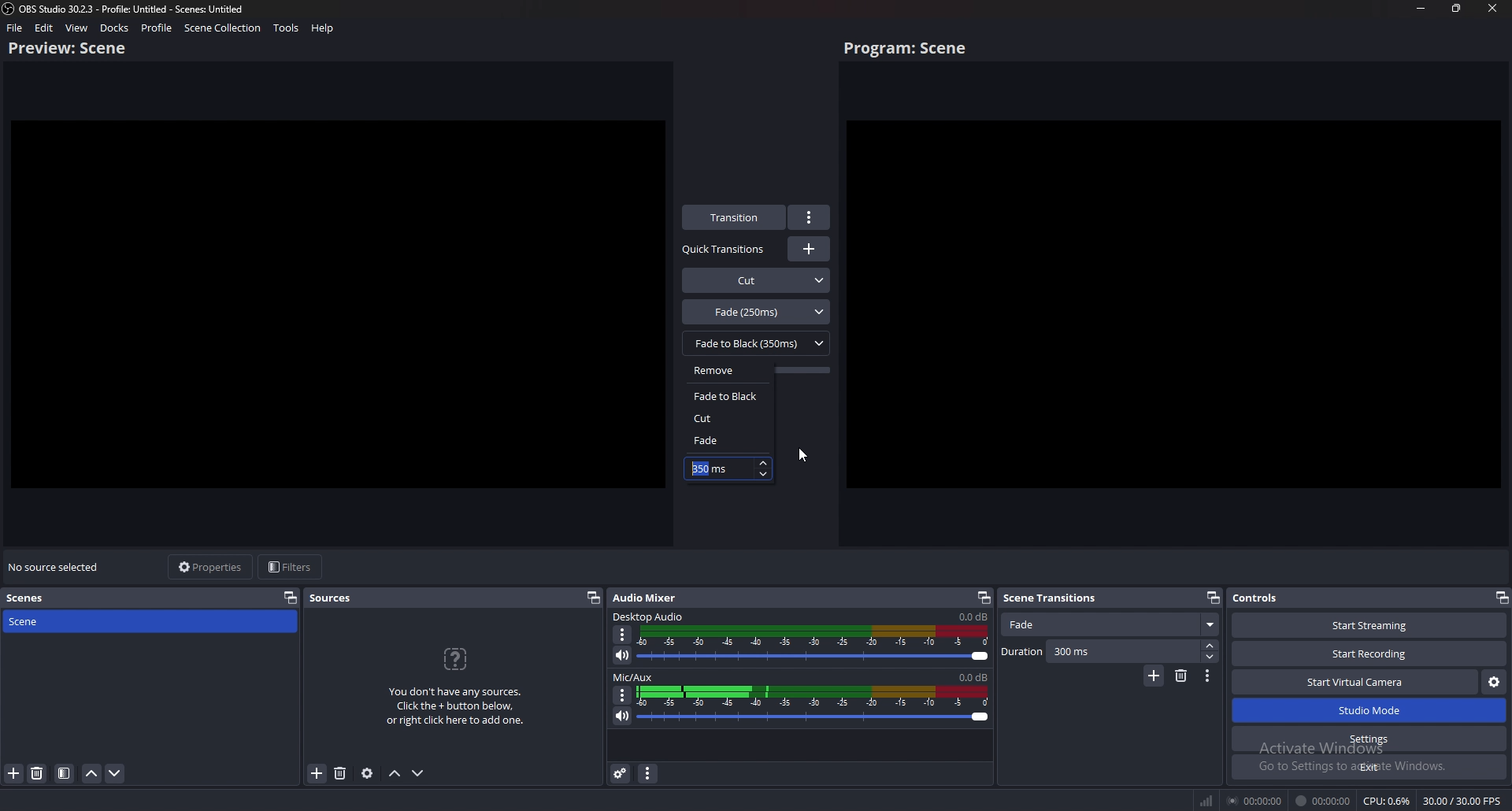  What do you see at coordinates (1370, 739) in the screenshot?
I see `Settings` at bounding box center [1370, 739].